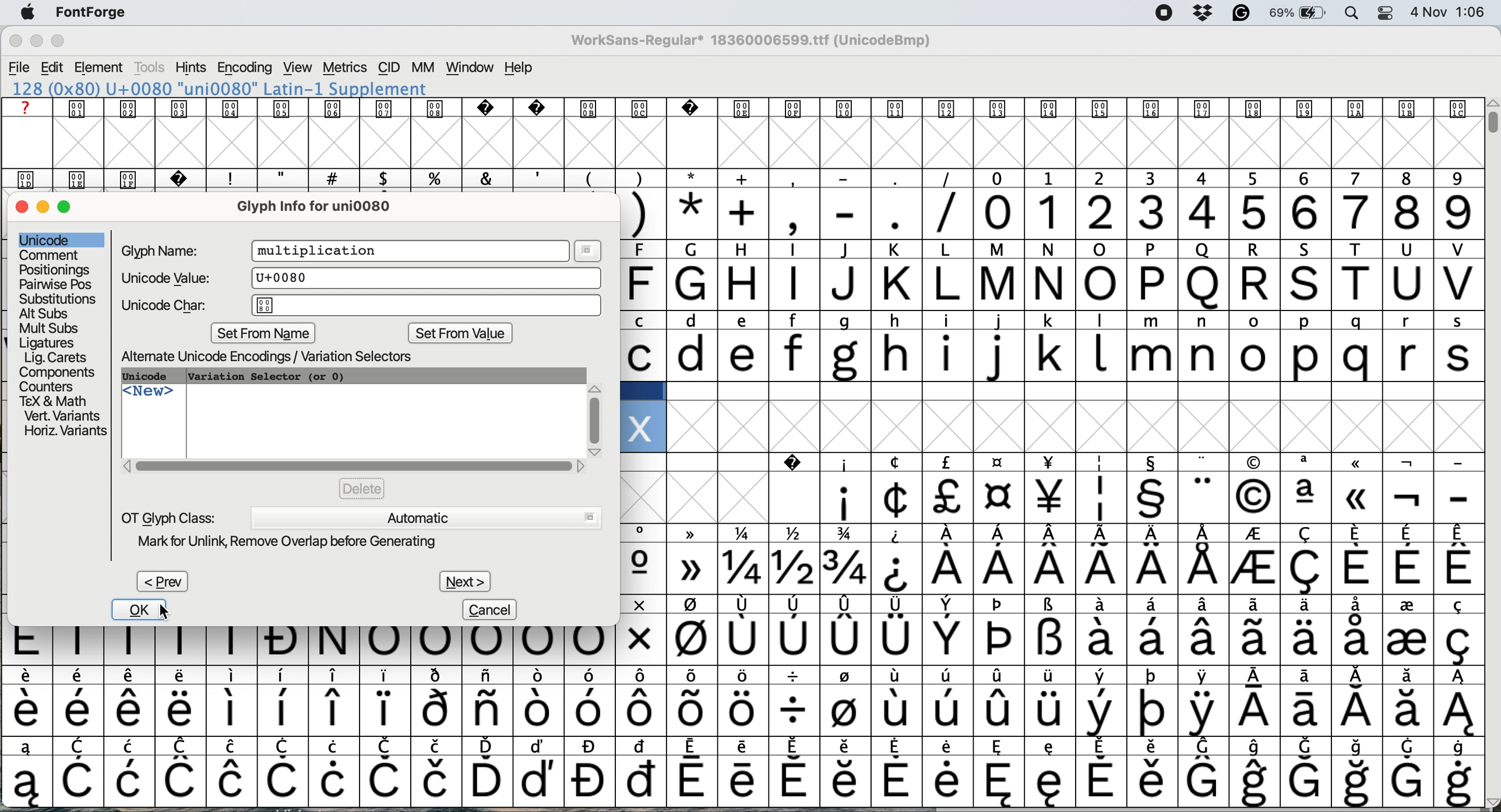  I want to click on variation selector, so click(267, 376).